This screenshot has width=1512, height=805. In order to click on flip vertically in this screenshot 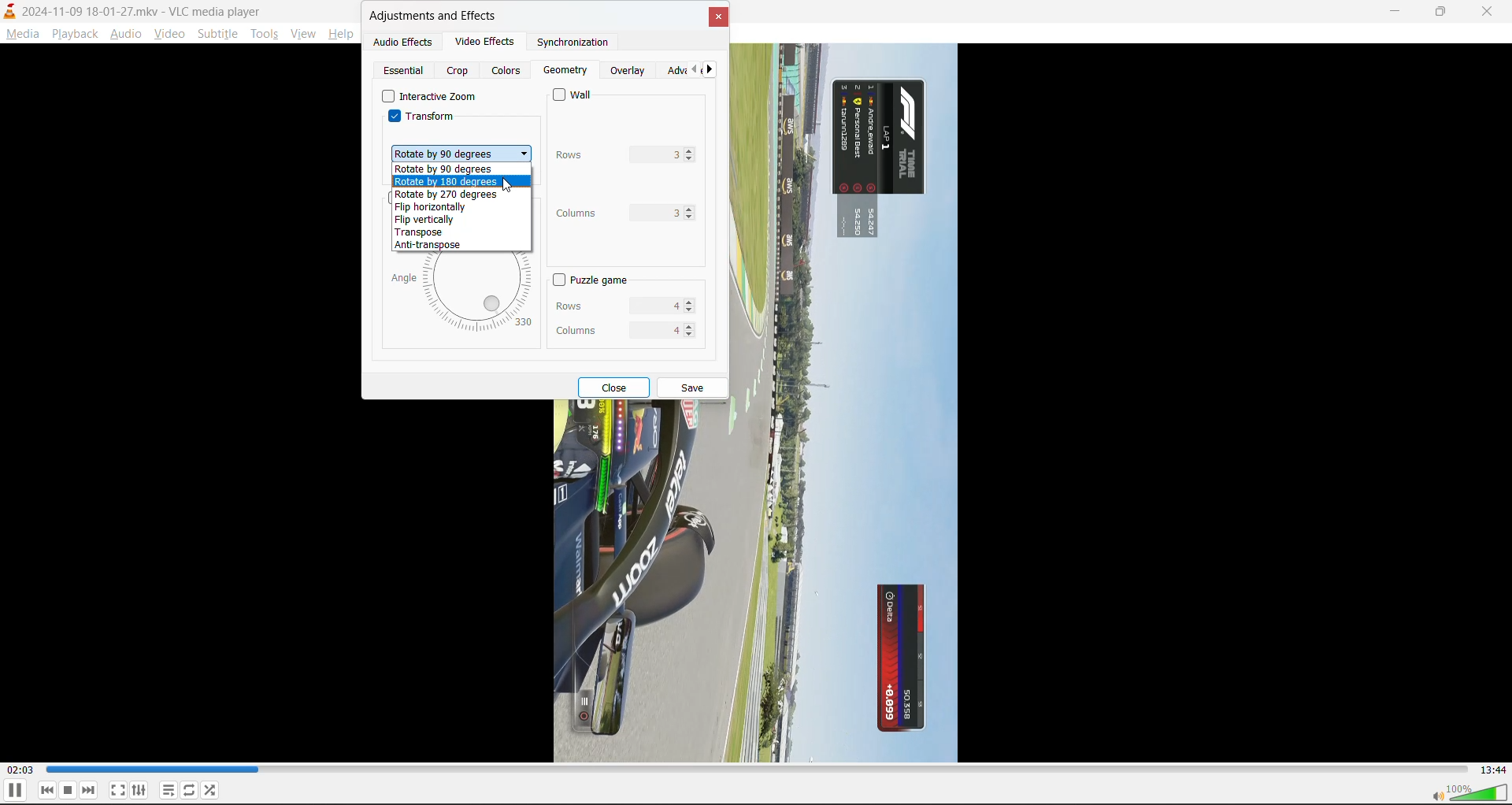, I will do `click(425, 221)`.